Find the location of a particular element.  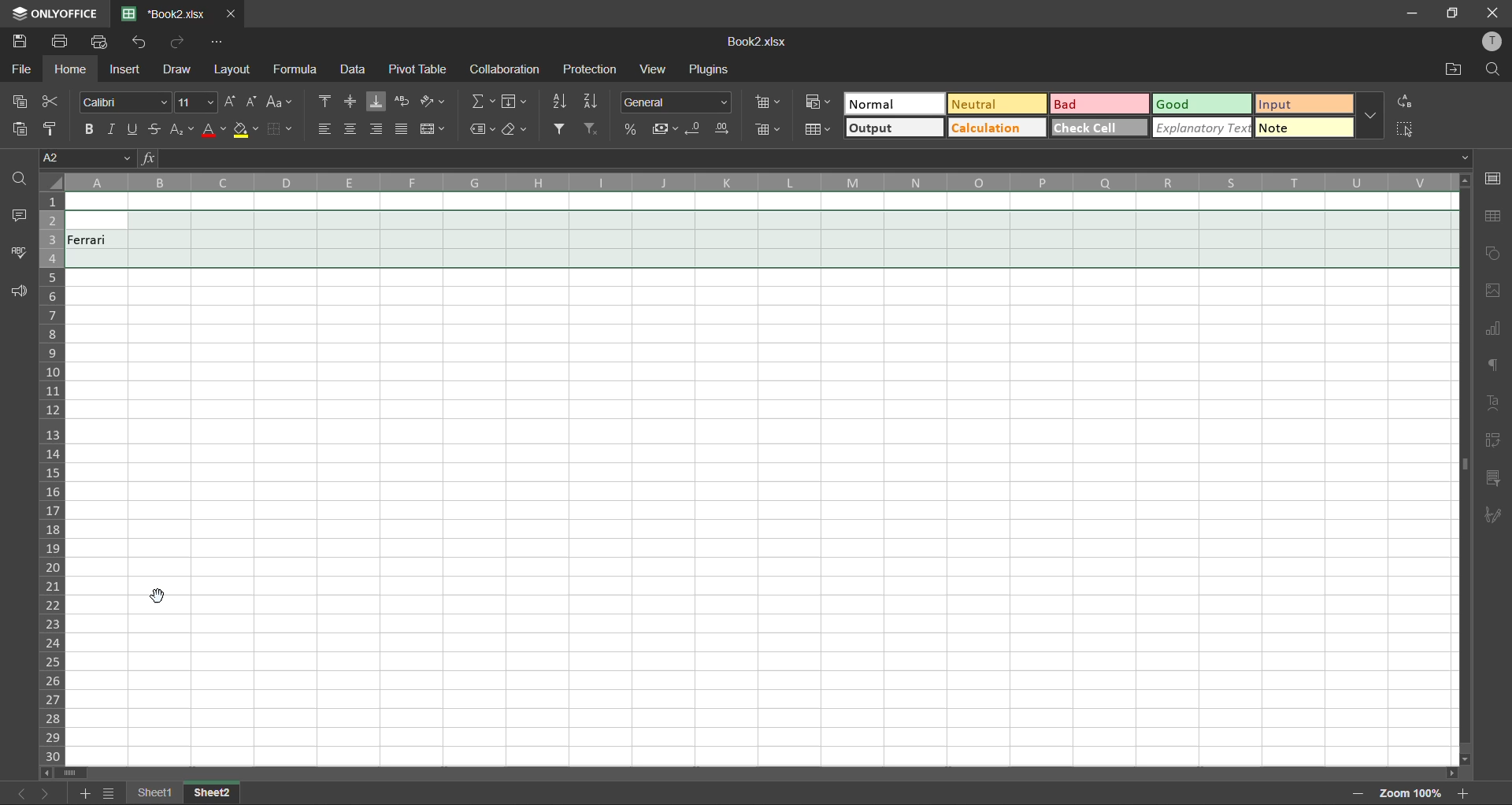

fields is located at coordinates (521, 104).